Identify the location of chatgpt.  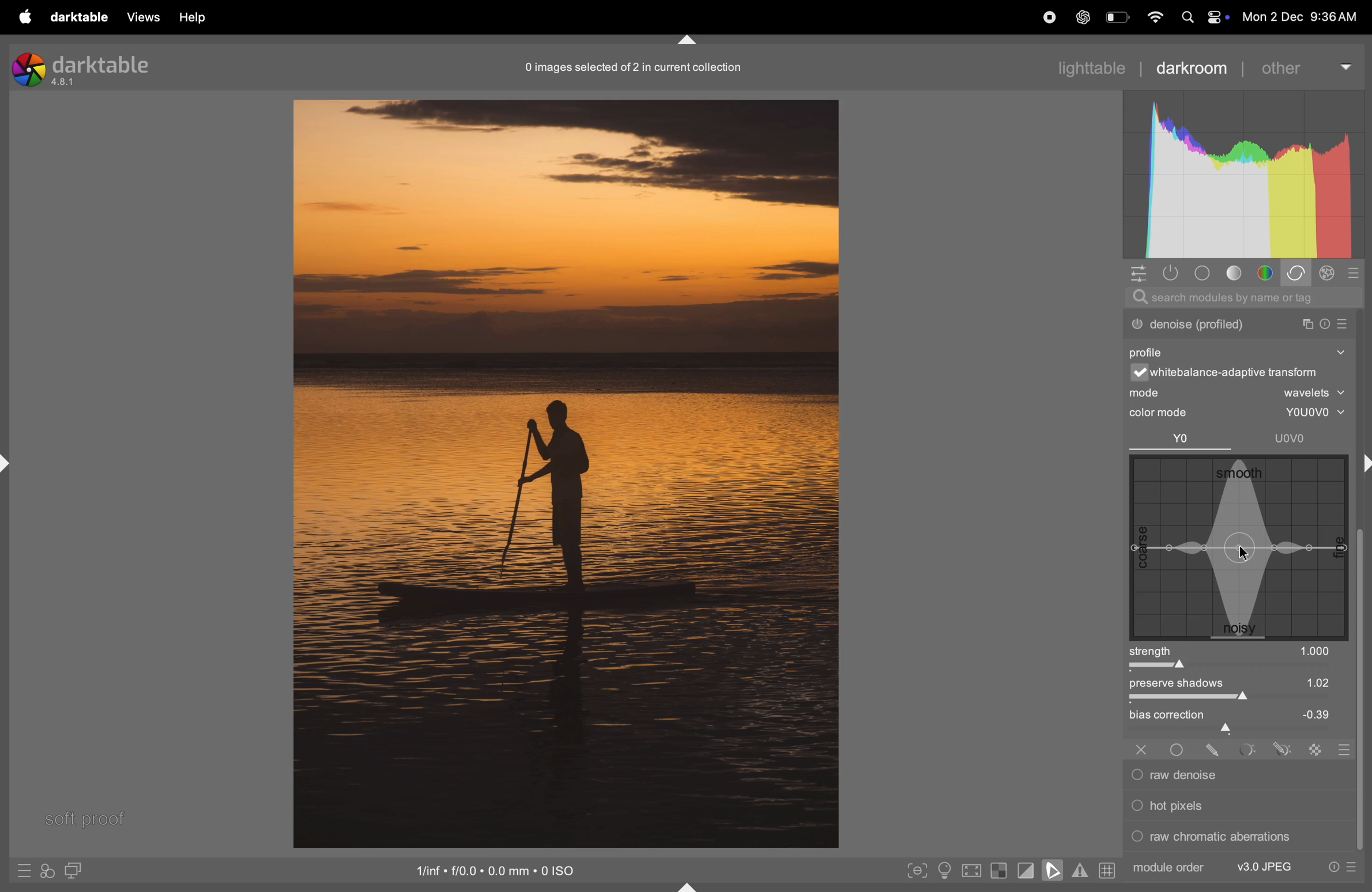
(1081, 18).